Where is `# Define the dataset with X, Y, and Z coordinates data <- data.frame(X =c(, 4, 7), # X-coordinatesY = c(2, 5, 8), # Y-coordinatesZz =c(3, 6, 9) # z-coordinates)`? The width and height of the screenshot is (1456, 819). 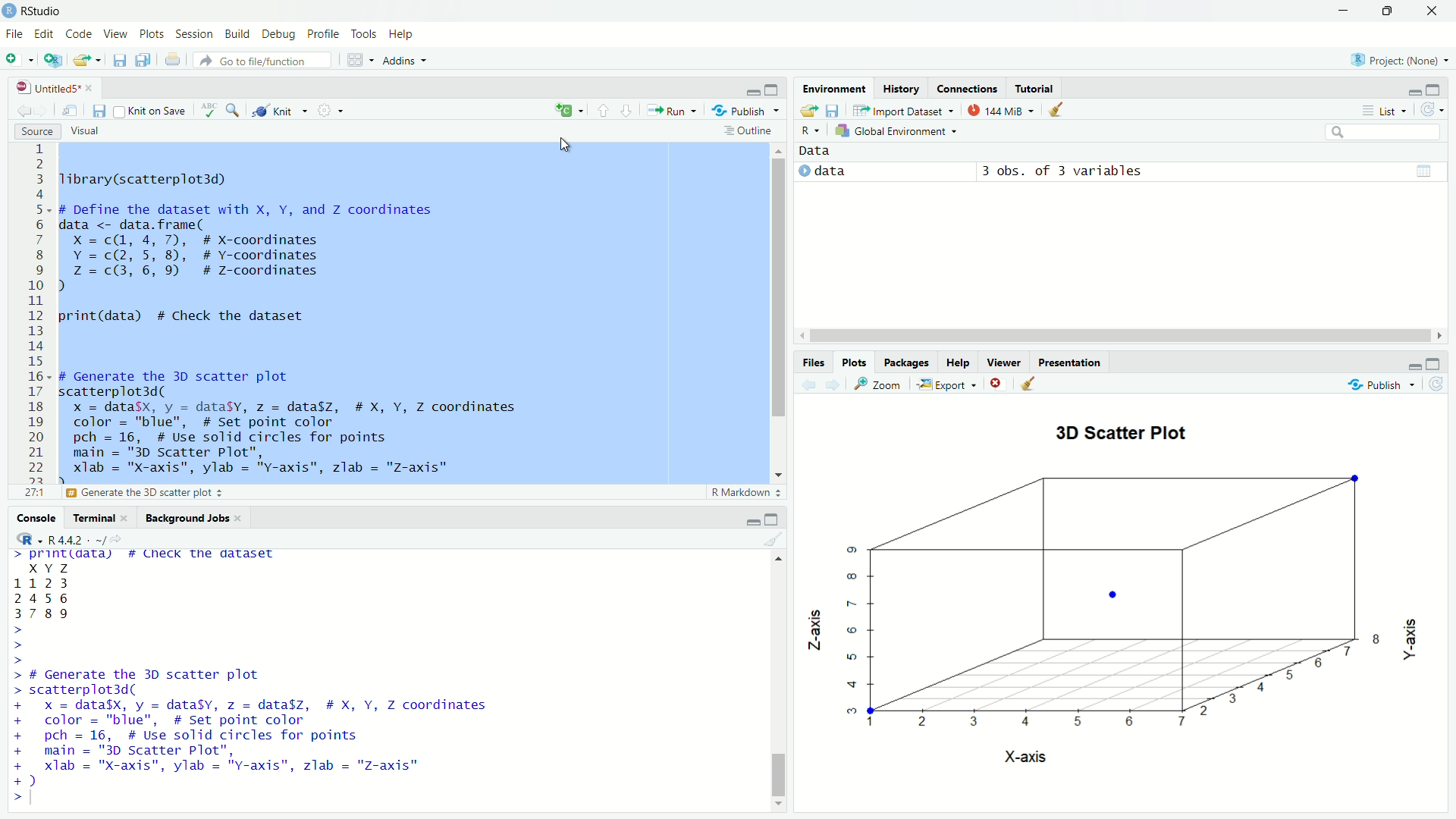 # Define the dataset with X, Y, and Z coordinates data <- data.frame(X =c(, 4, 7), # X-coordinatesY = c(2, 5, 8), # Y-coordinatesZz =c(3, 6, 9) # z-coordinates) is located at coordinates (256, 248).